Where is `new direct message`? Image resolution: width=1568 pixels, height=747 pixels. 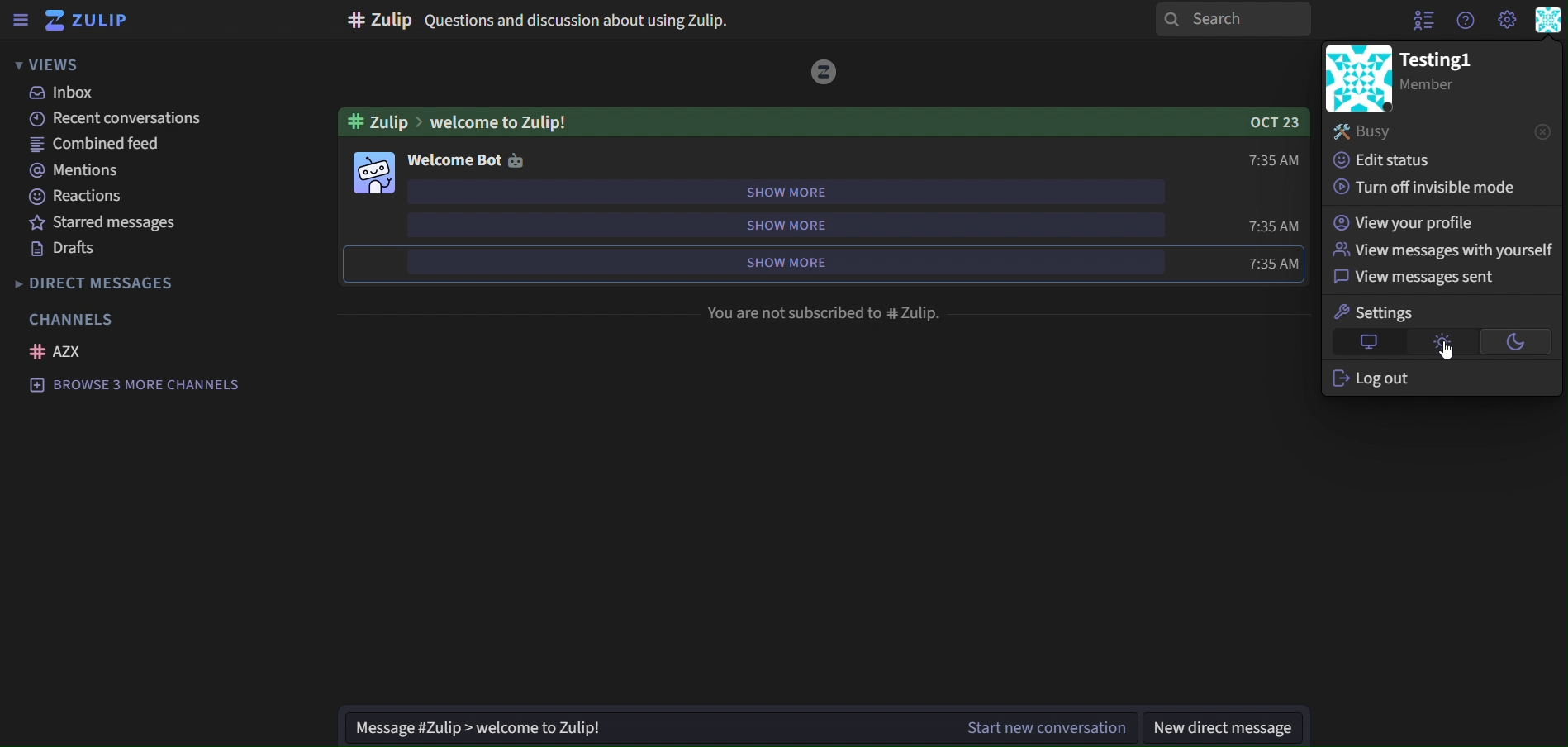
new direct message is located at coordinates (1224, 727).